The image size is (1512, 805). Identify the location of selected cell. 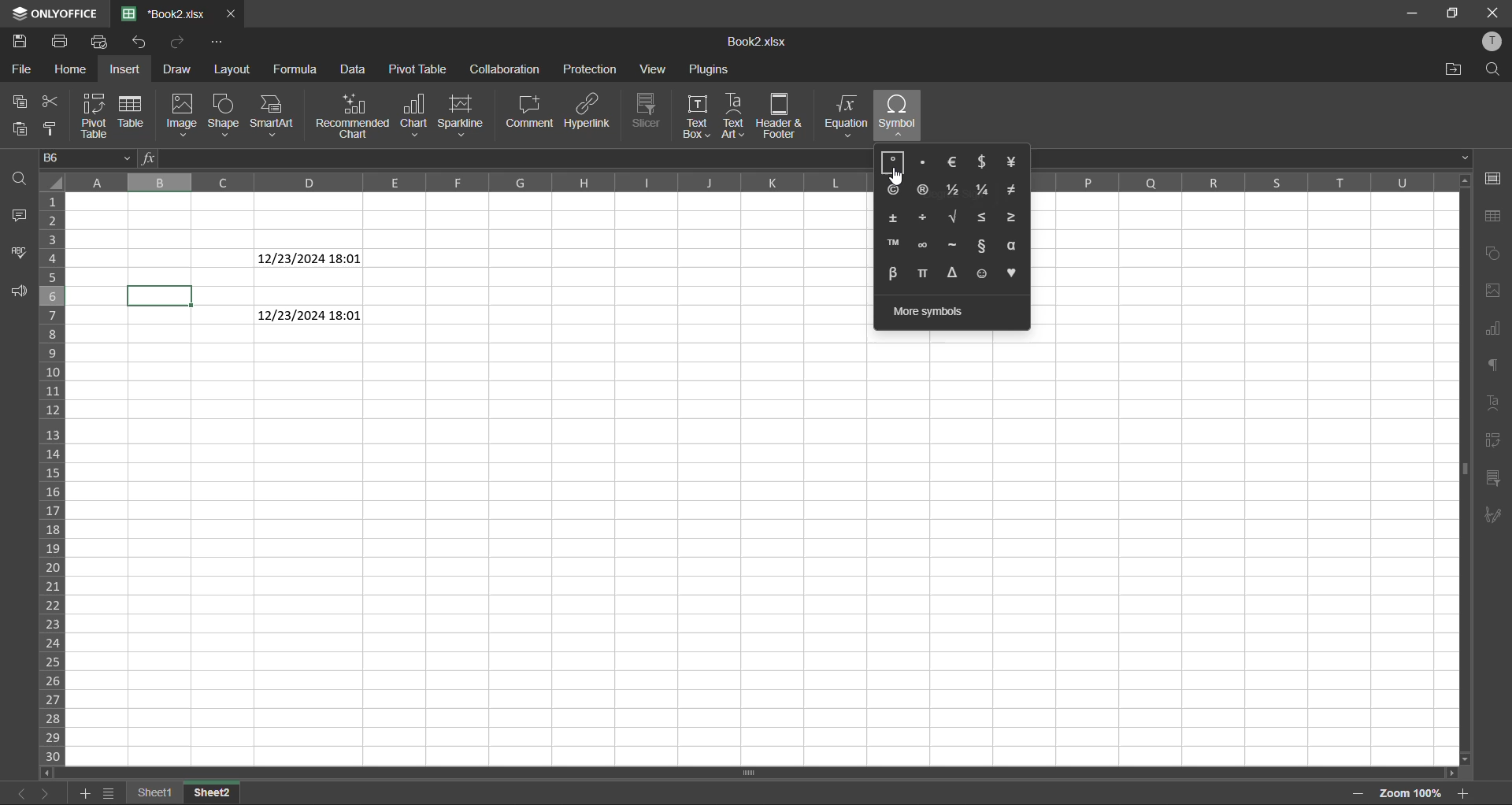
(160, 295).